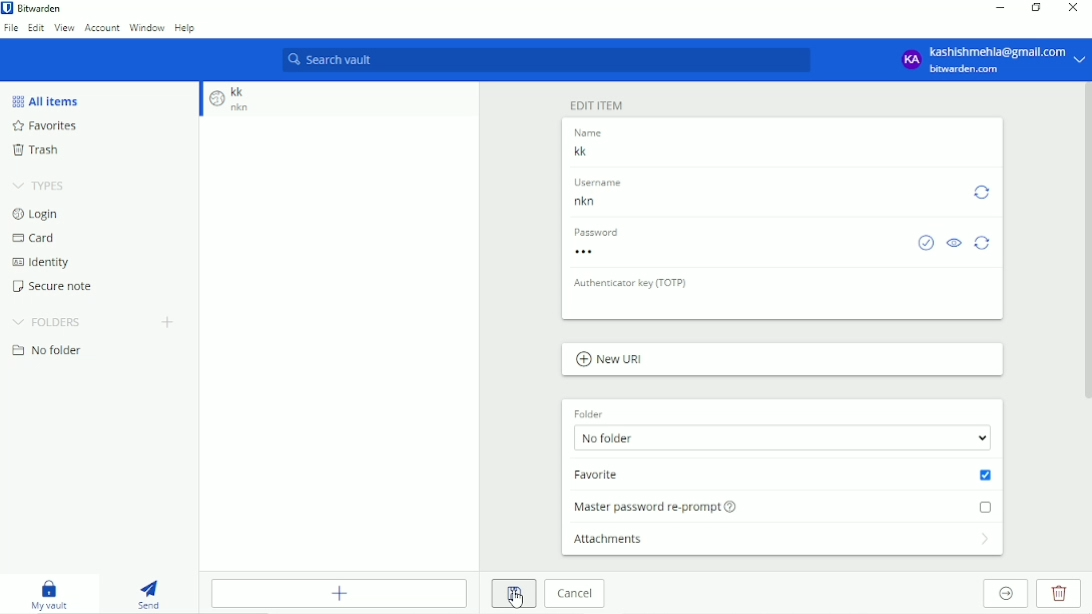  Describe the element at coordinates (984, 244) in the screenshot. I see `Generate password` at that location.